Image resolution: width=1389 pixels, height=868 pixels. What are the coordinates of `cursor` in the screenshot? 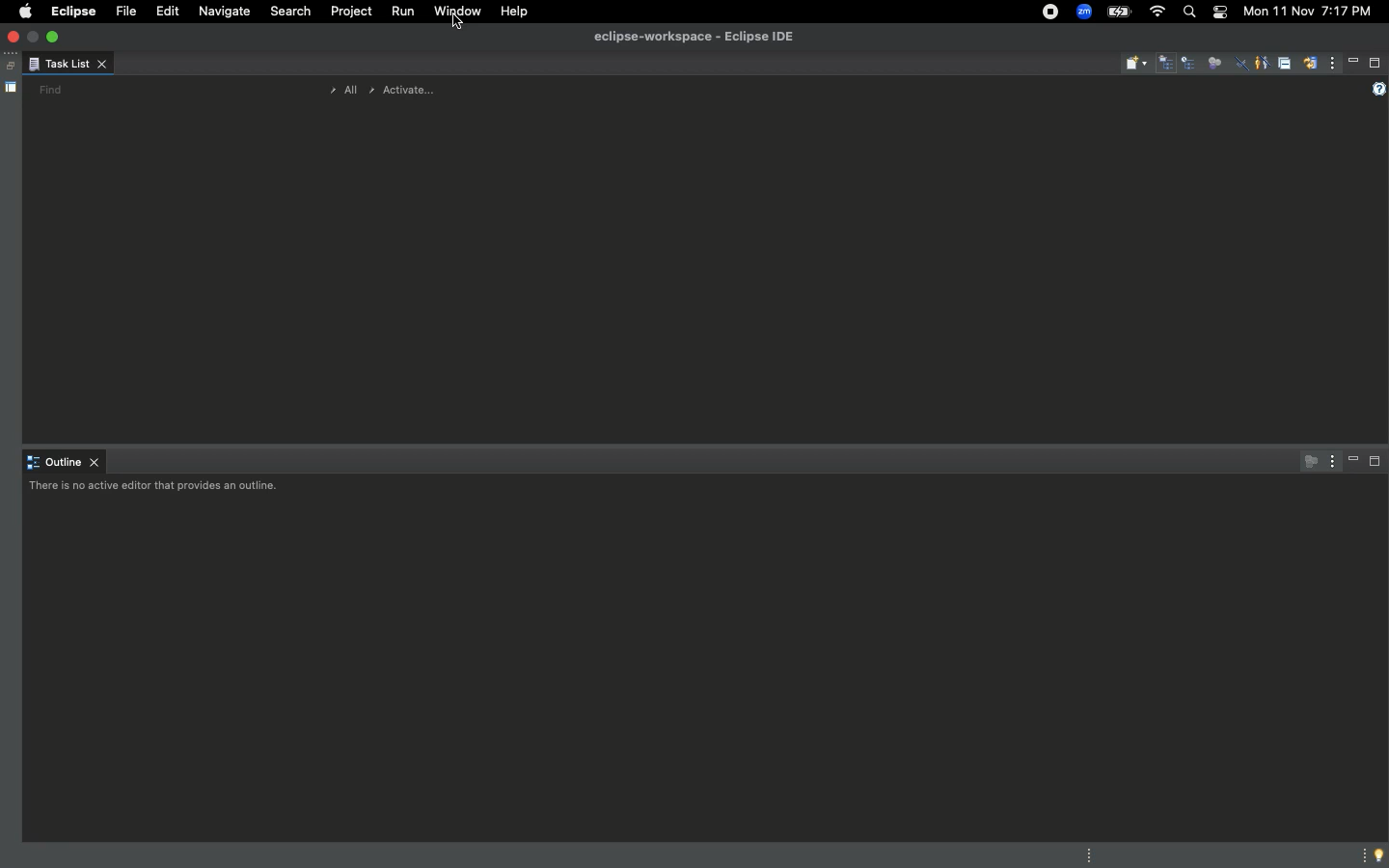 It's located at (461, 33).